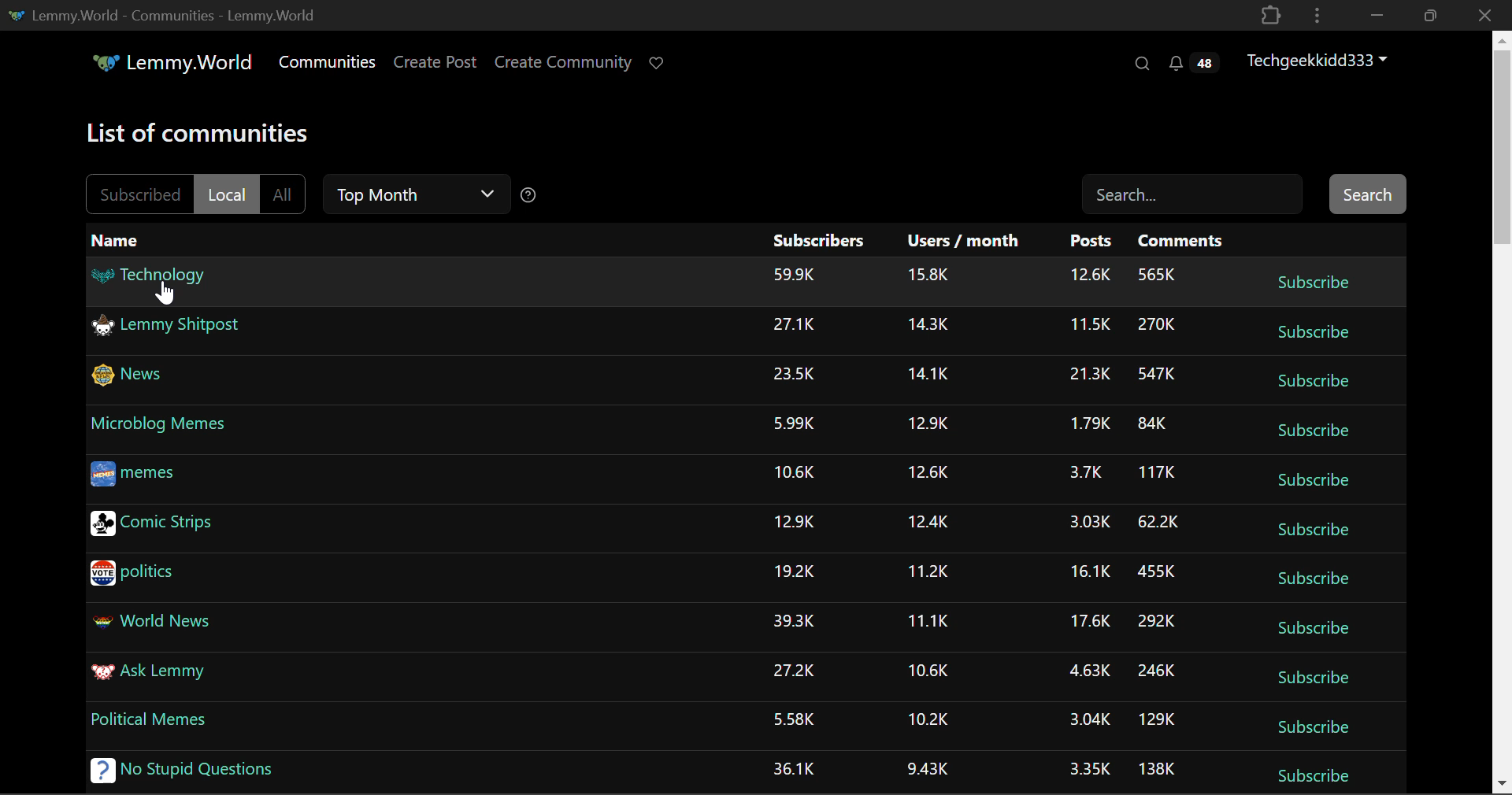  I want to click on Notifications, so click(1192, 63).